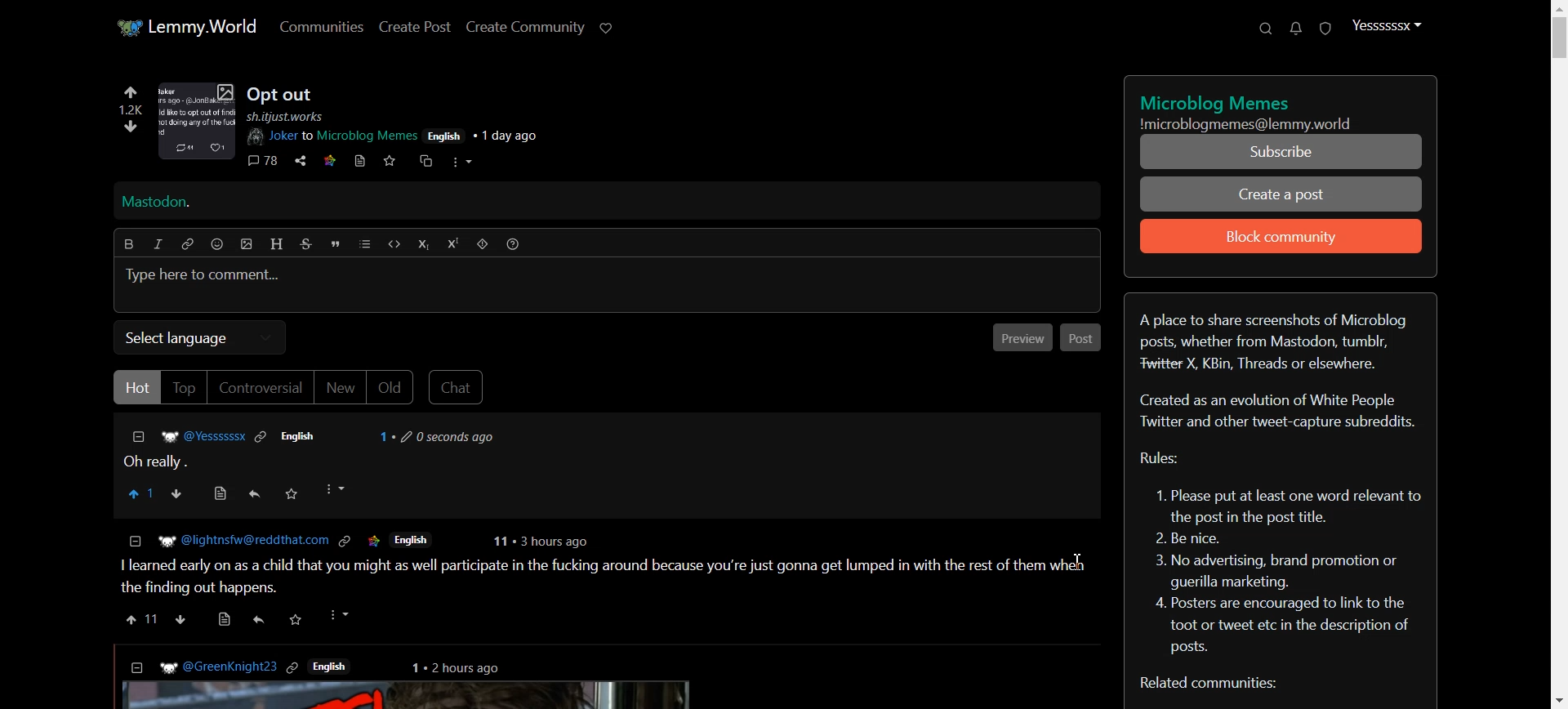  I want to click on Posts, so click(282, 94).